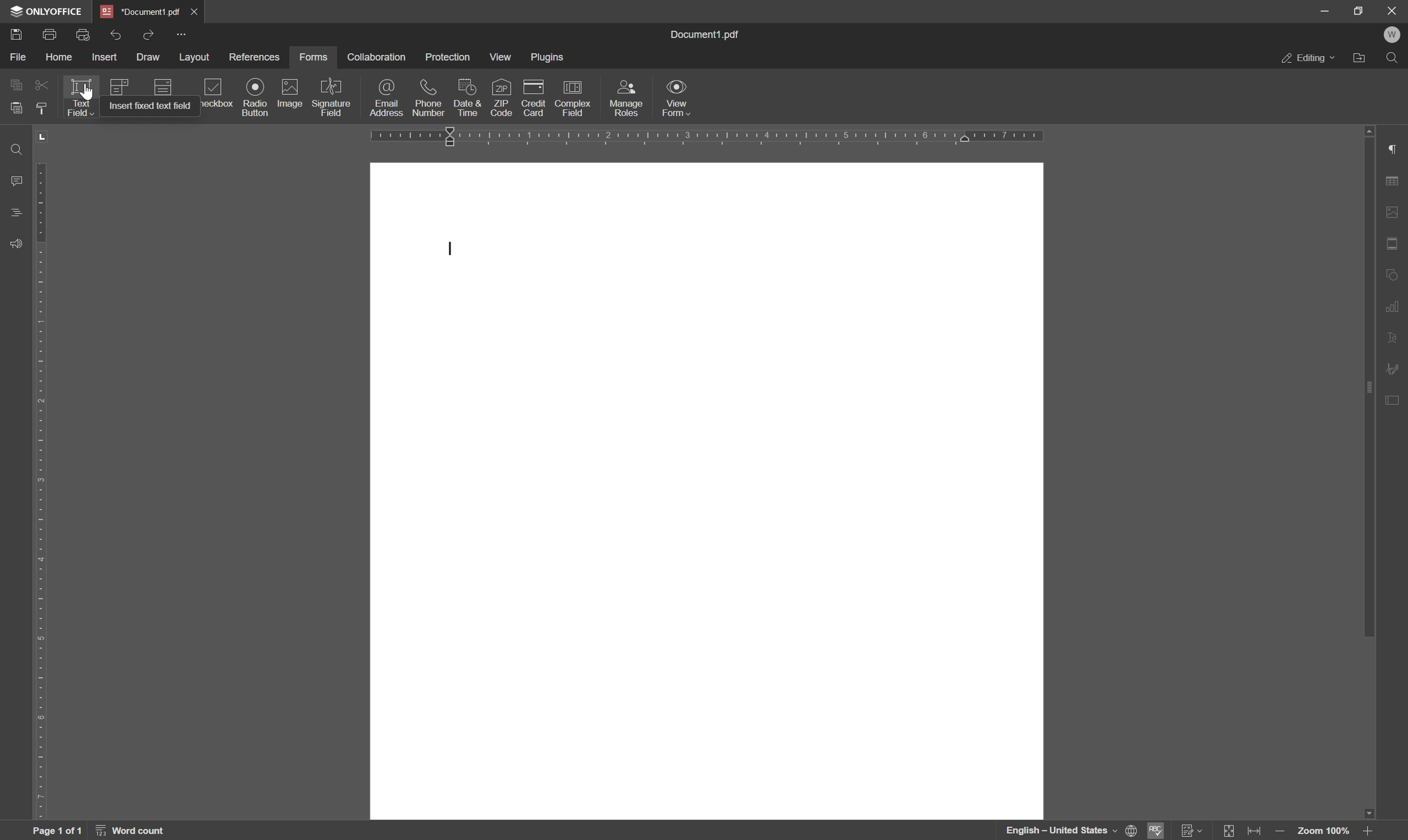 The height and width of the screenshot is (840, 1408). I want to click on fit to width, so click(1257, 831).